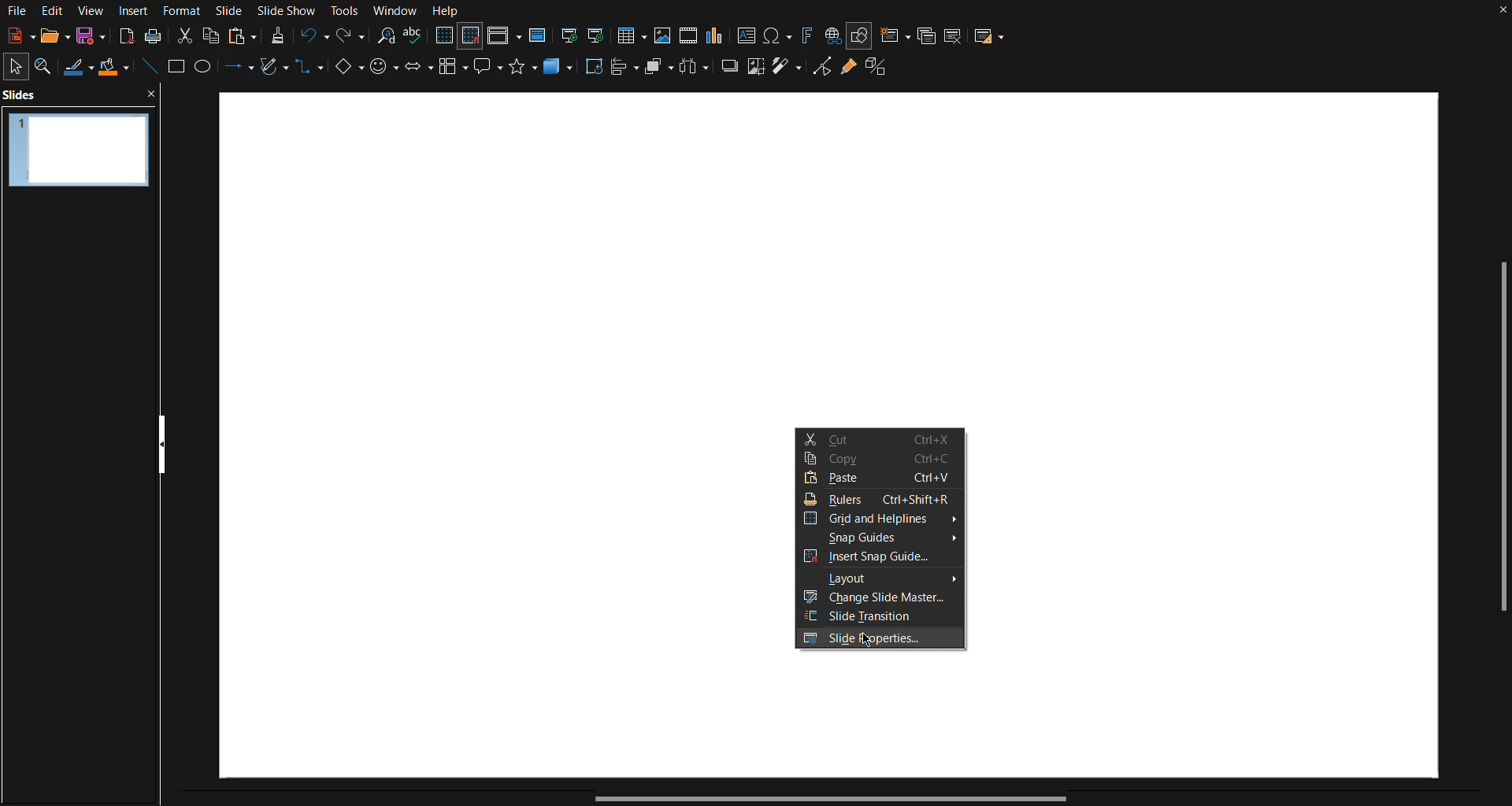  I want to click on Search and Replace, so click(385, 36).